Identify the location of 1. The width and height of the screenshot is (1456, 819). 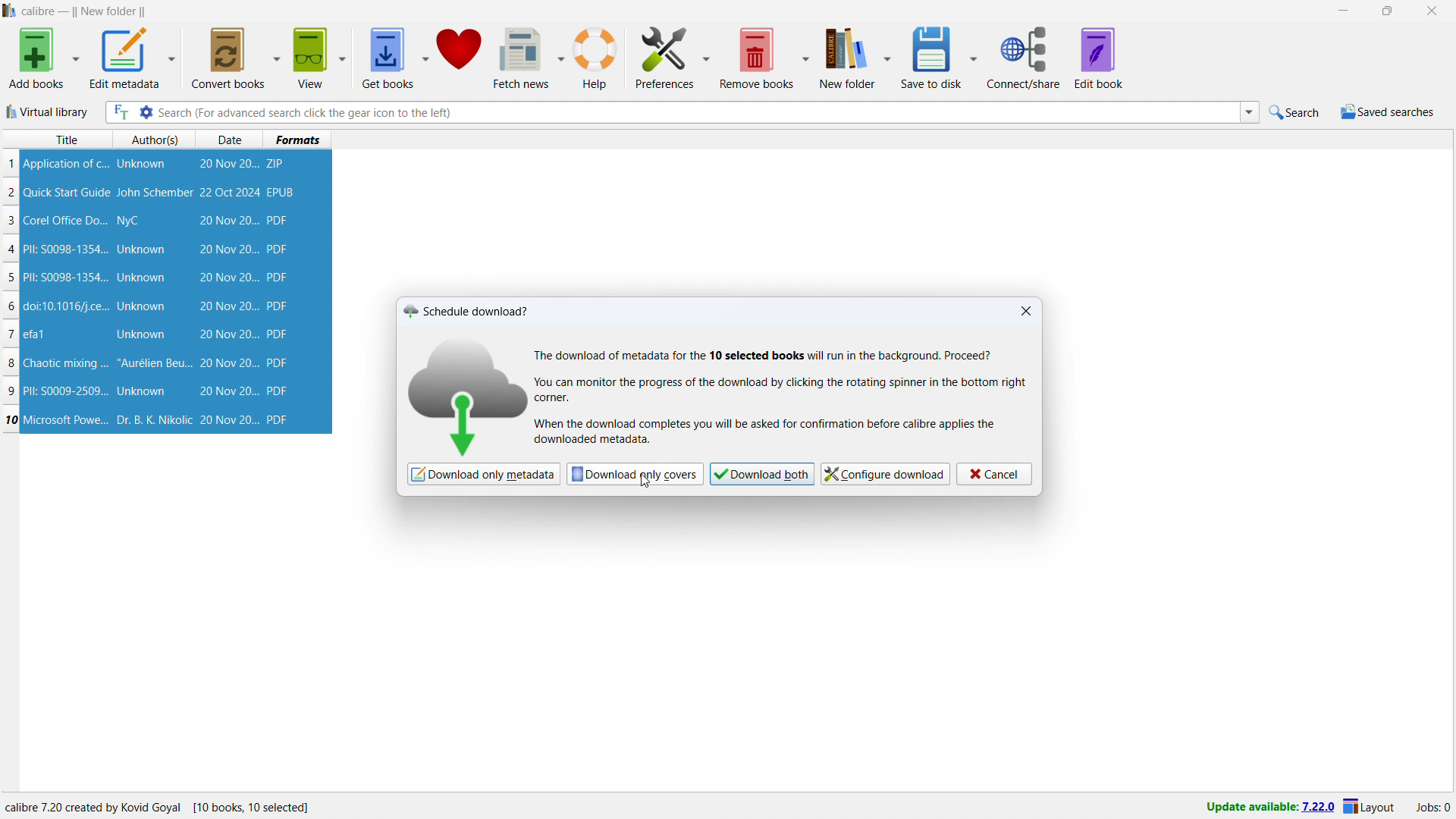
(11, 164).